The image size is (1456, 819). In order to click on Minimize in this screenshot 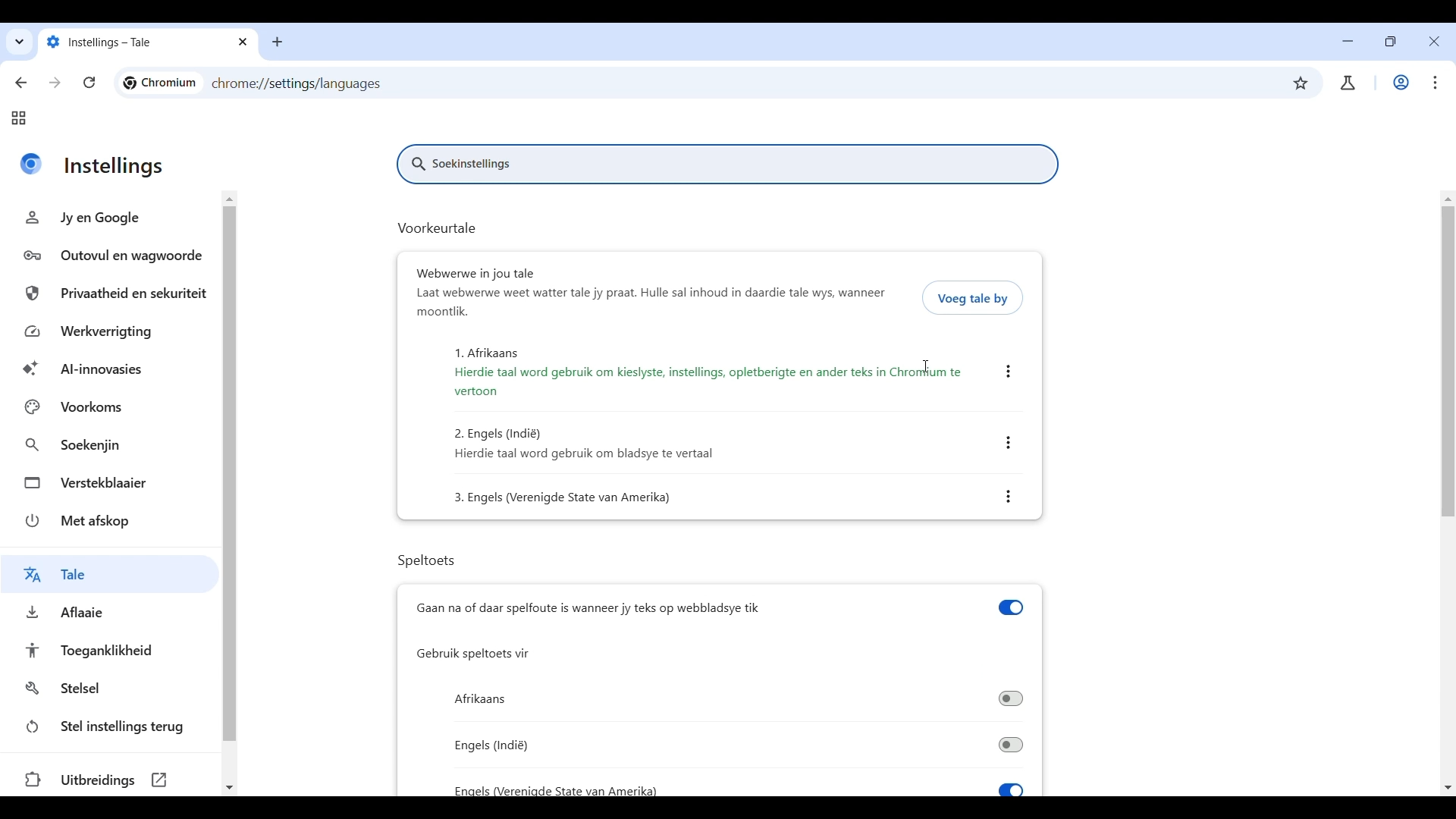, I will do `click(1348, 41)`.